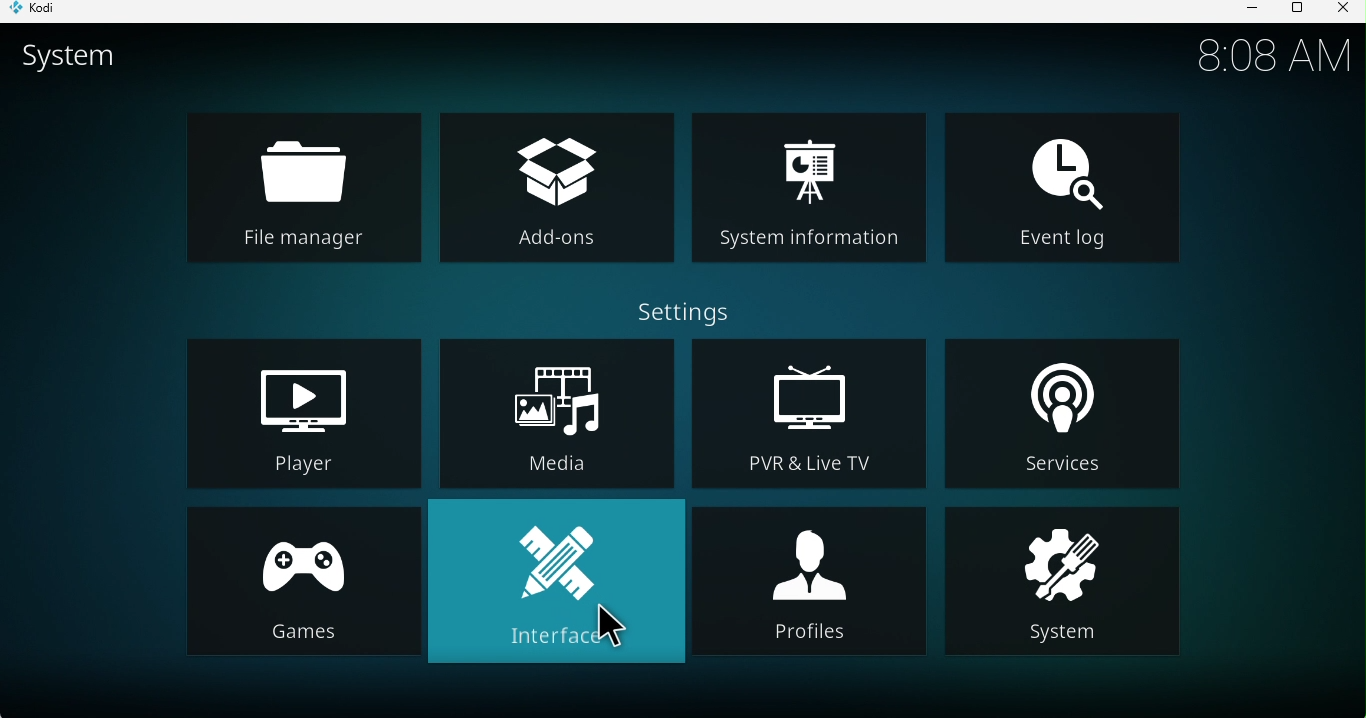  I want to click on Games, so click(302, 577).